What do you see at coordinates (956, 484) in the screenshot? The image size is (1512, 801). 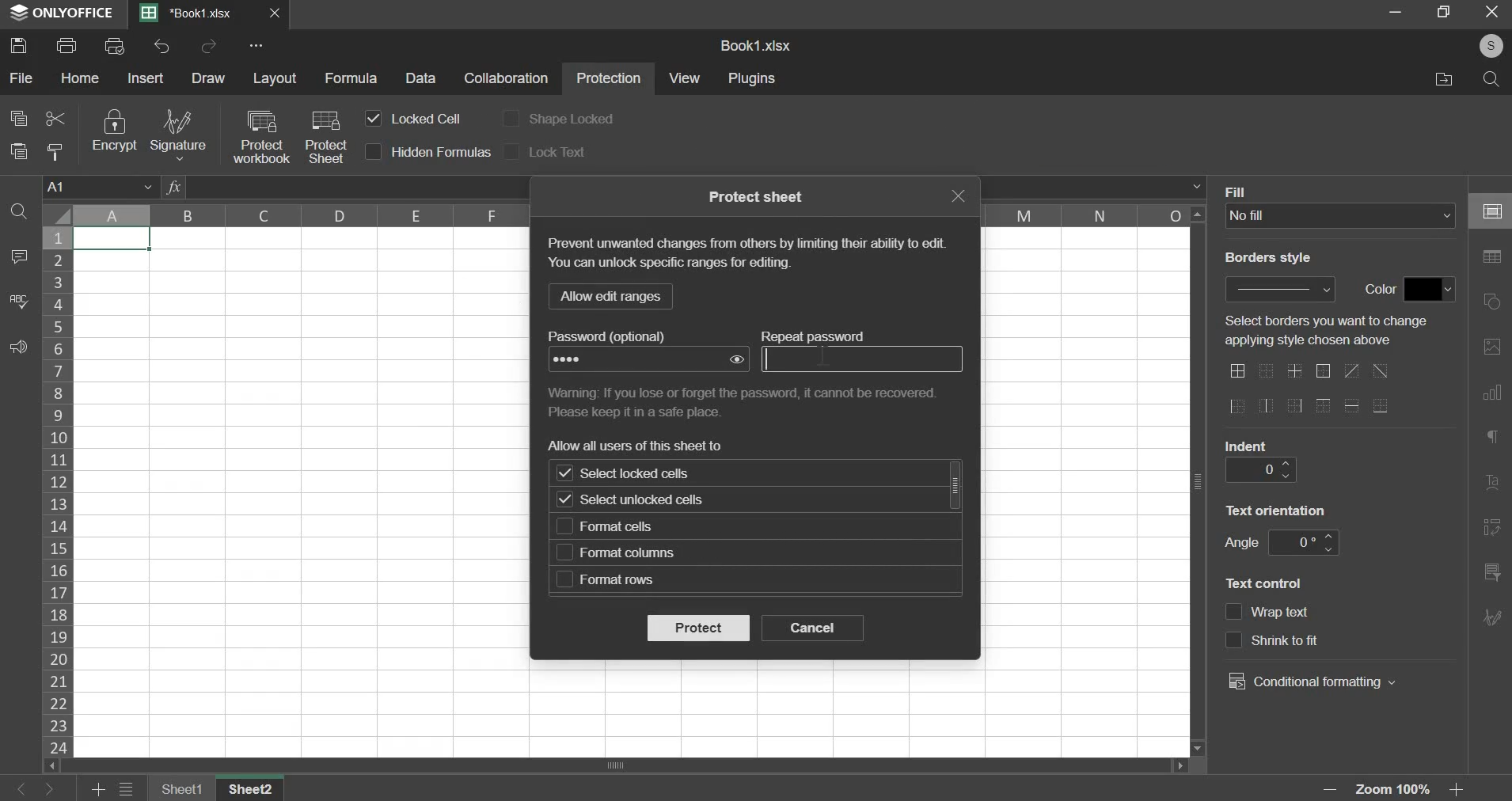 I see `scrollbar` at bounding box center [956, 484].